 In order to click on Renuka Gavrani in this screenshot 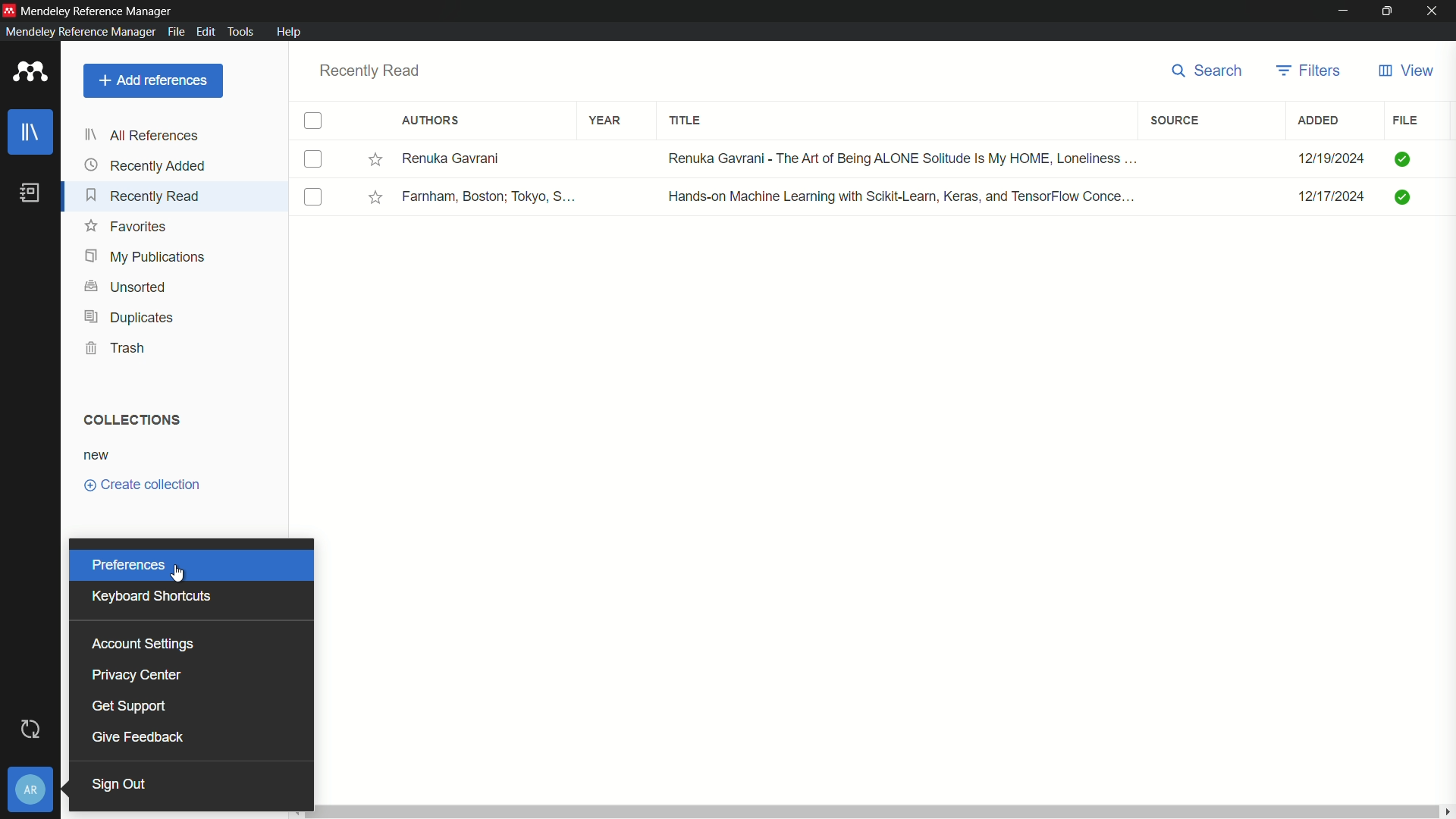, I will do `click(486, 160)`.